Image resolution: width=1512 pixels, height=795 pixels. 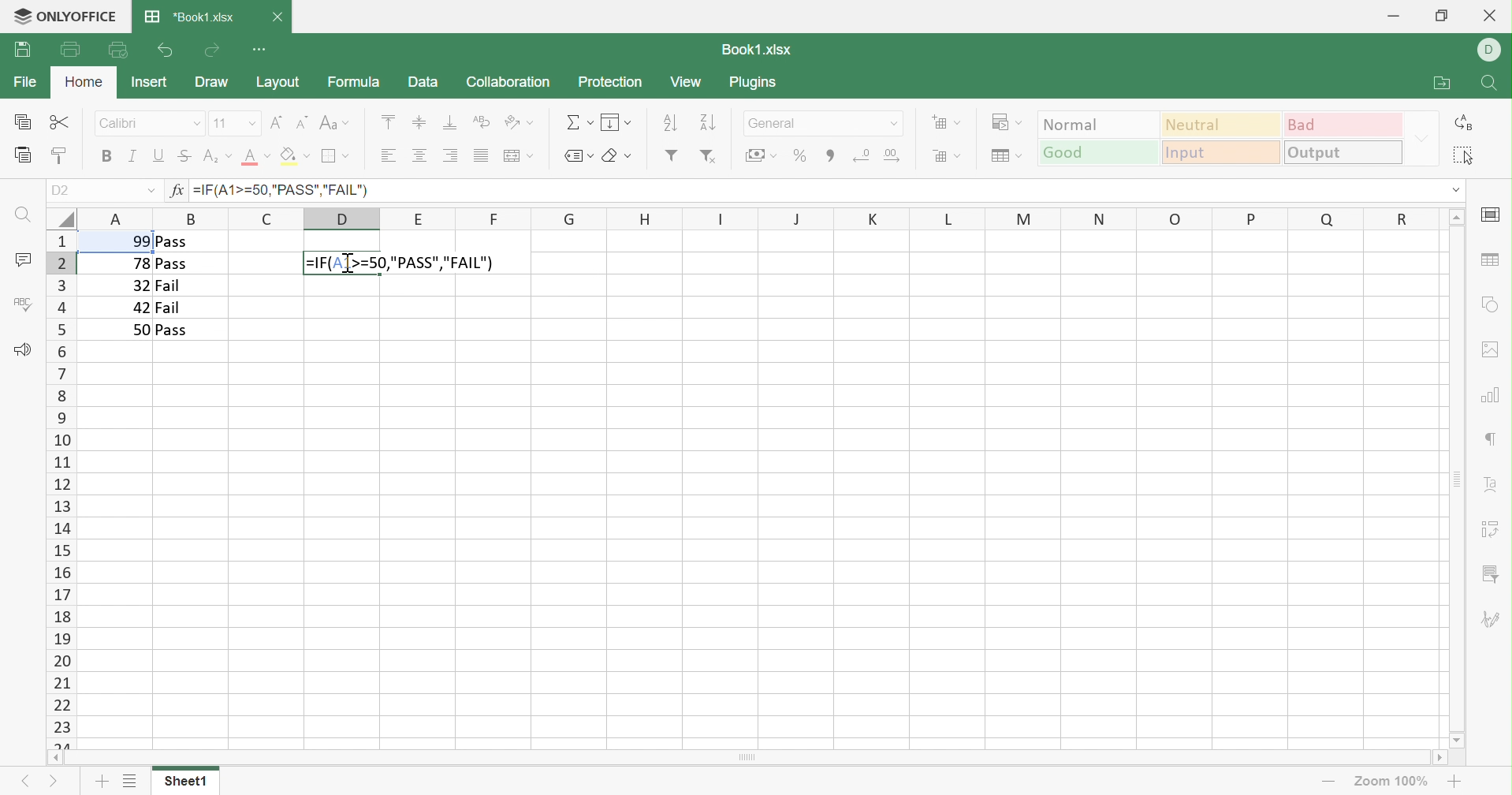 I want to click on Minimize, so click(x=1396, y=13).